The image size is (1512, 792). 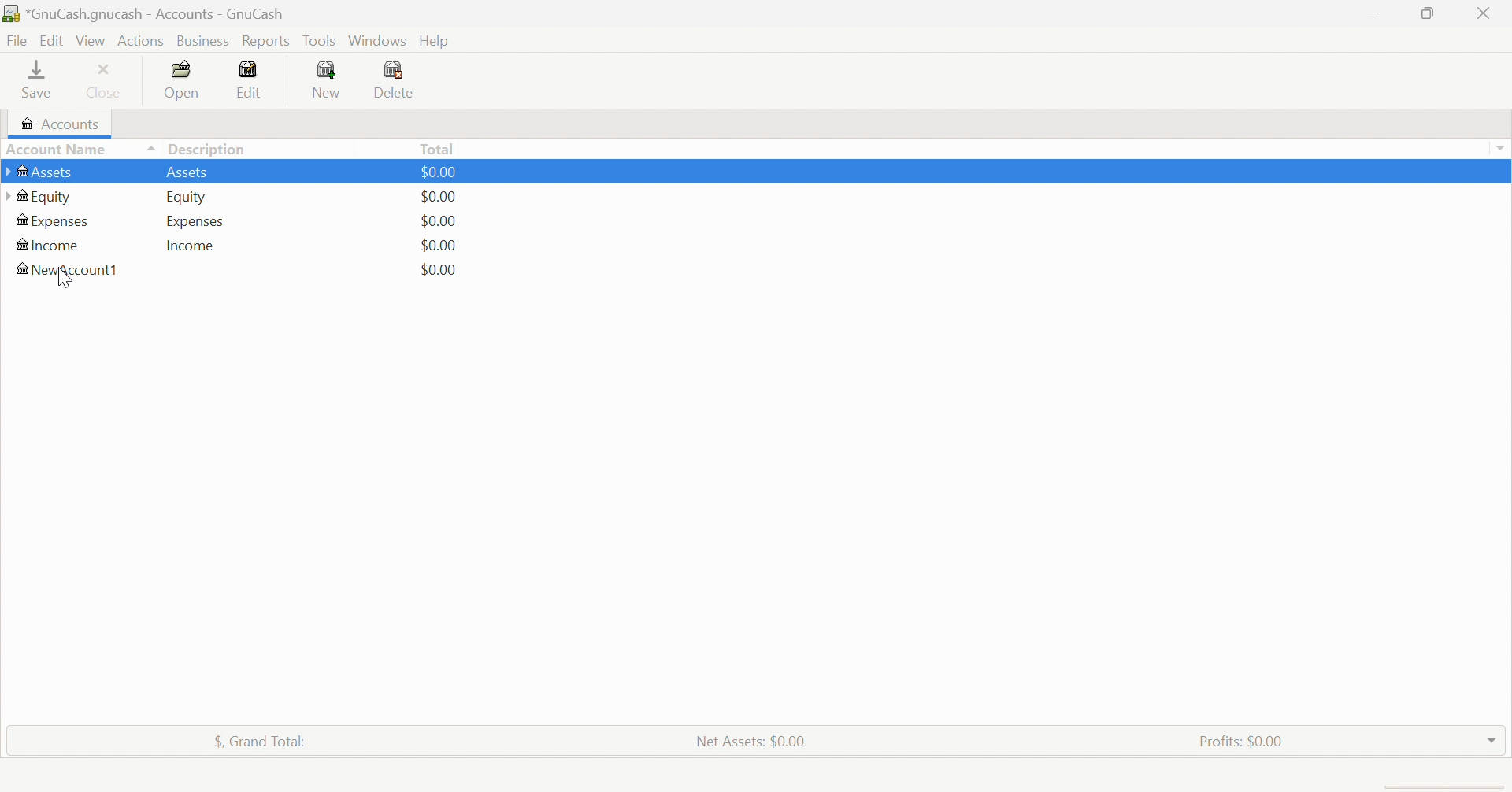 I want to click on Close, so click(x=107, y=80).